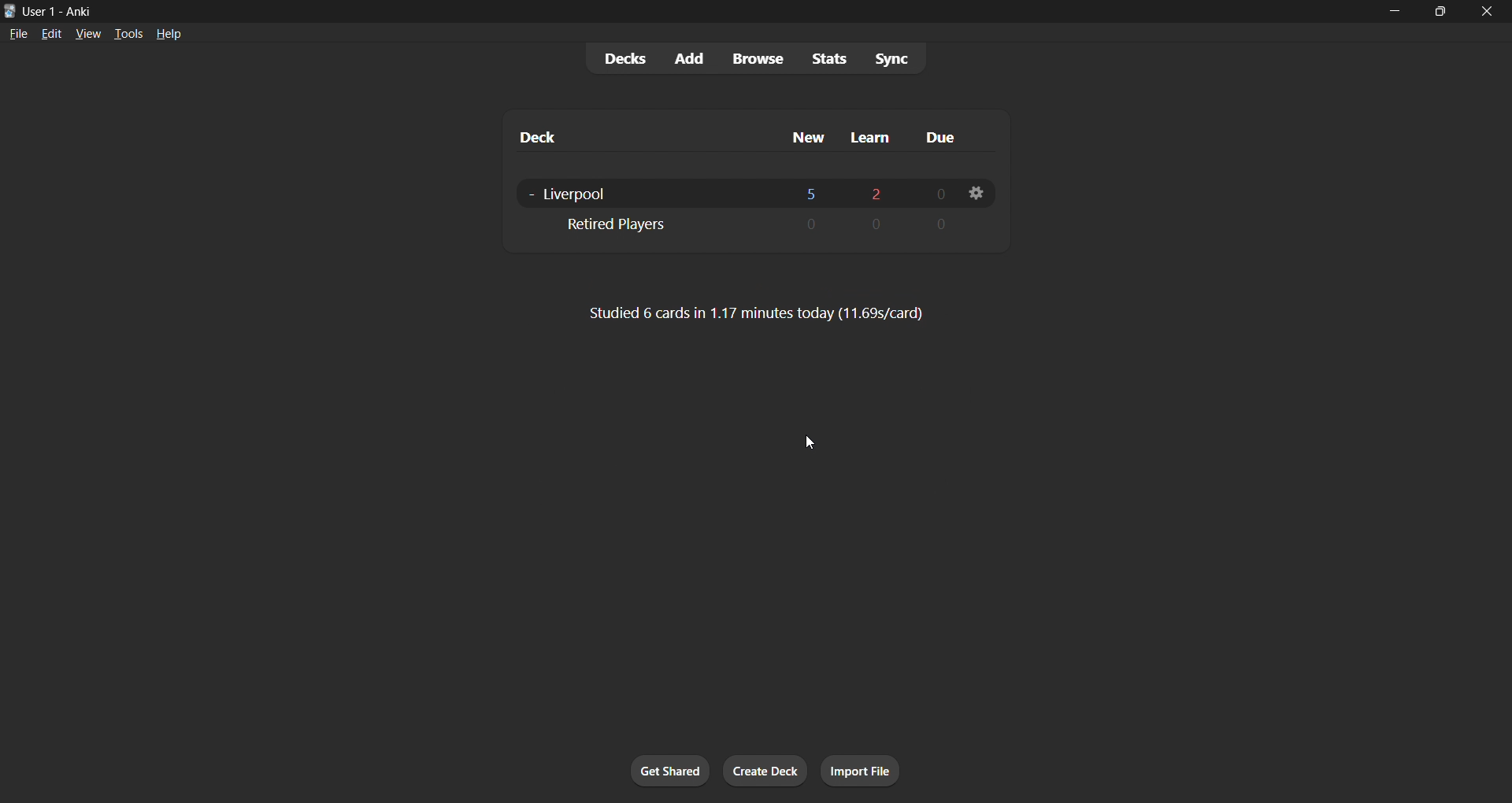 This screenshot has width=1512, height=803. I want to click on deck name column, so click(622, 139).